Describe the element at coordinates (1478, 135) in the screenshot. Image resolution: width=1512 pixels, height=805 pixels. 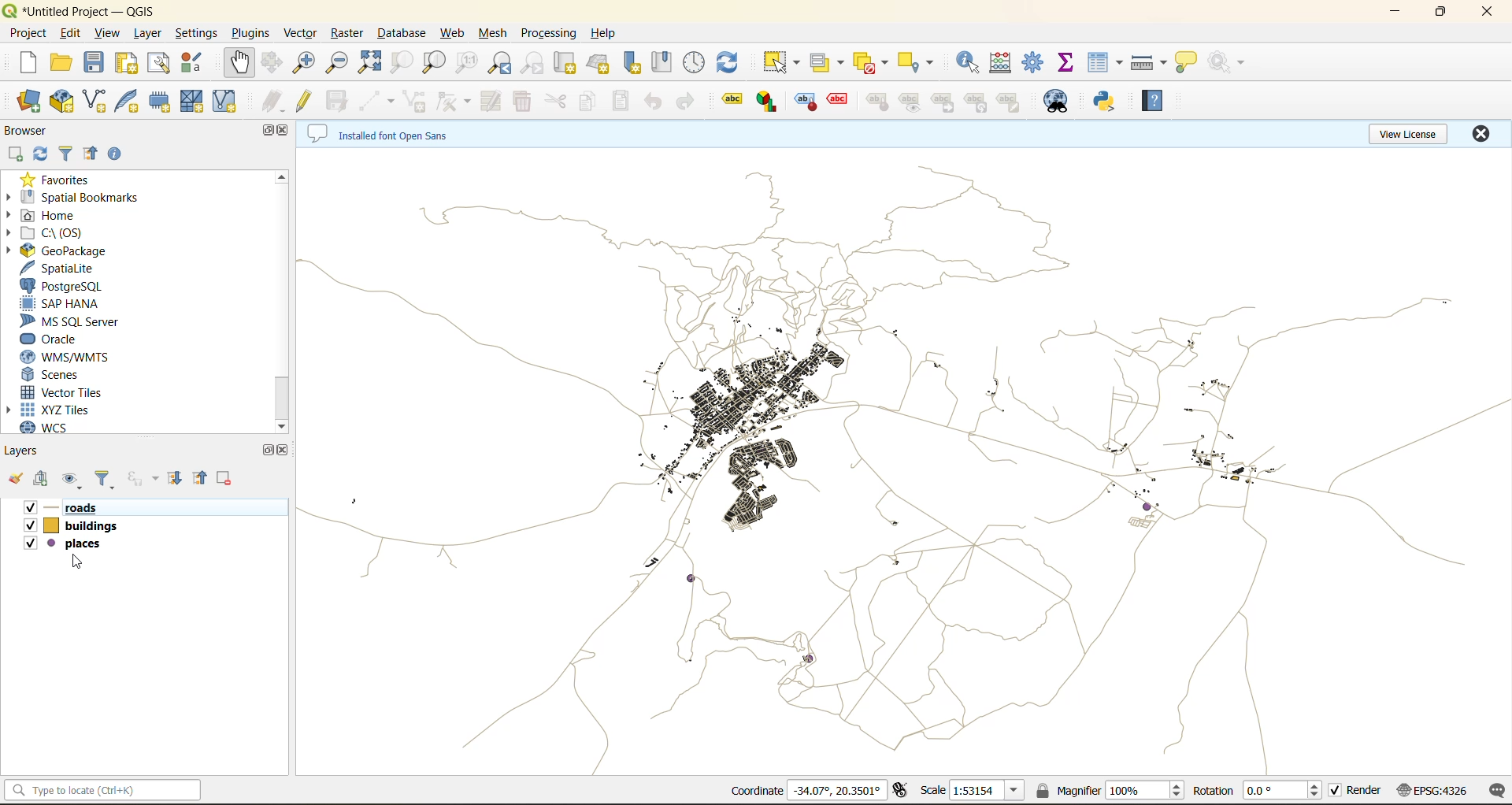
I see `close` at that location.